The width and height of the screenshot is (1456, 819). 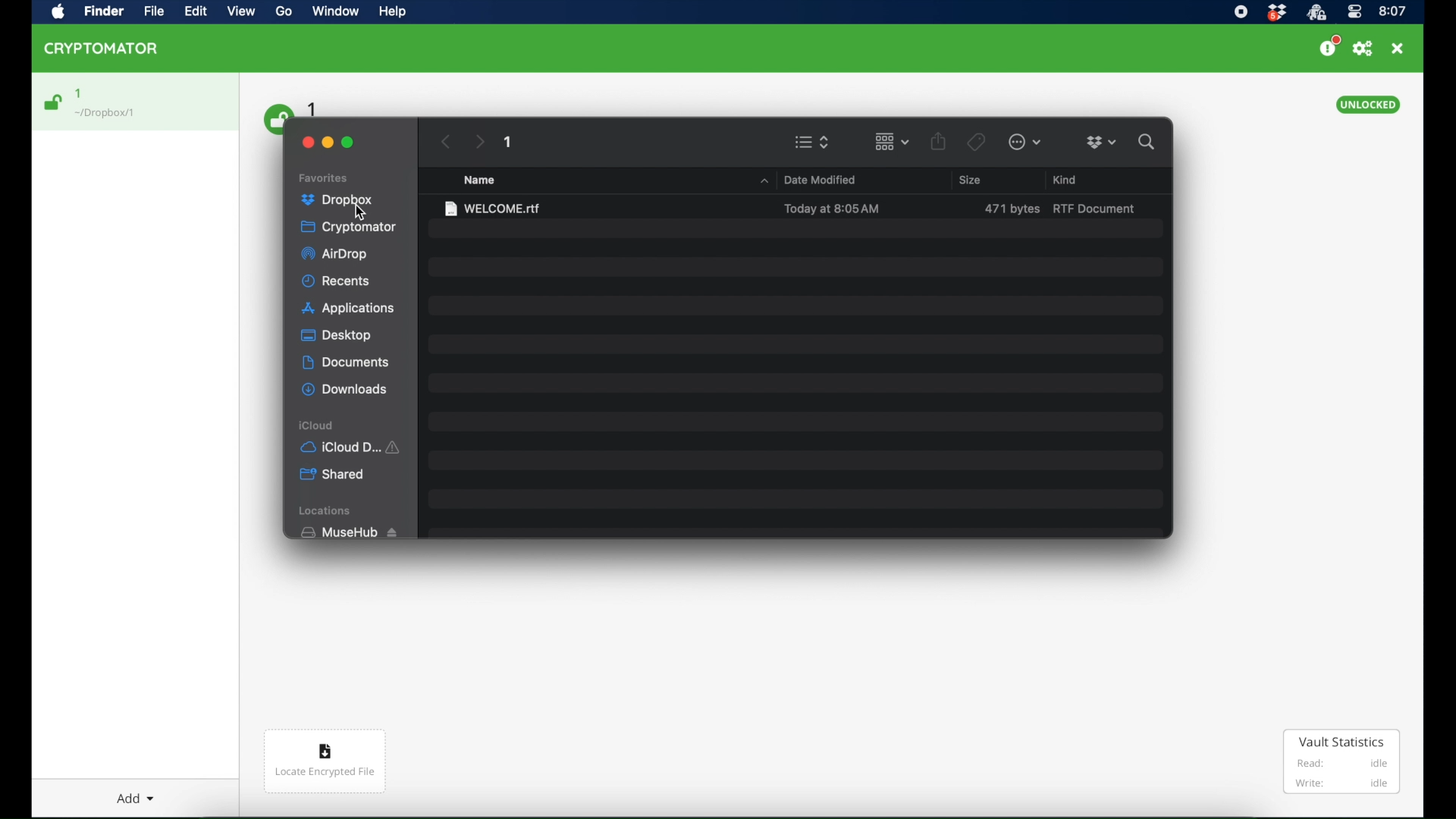 What do you see at coordinates (1012, 209) in the screenshot?
I see `size` at bounding box center [1012, 209].